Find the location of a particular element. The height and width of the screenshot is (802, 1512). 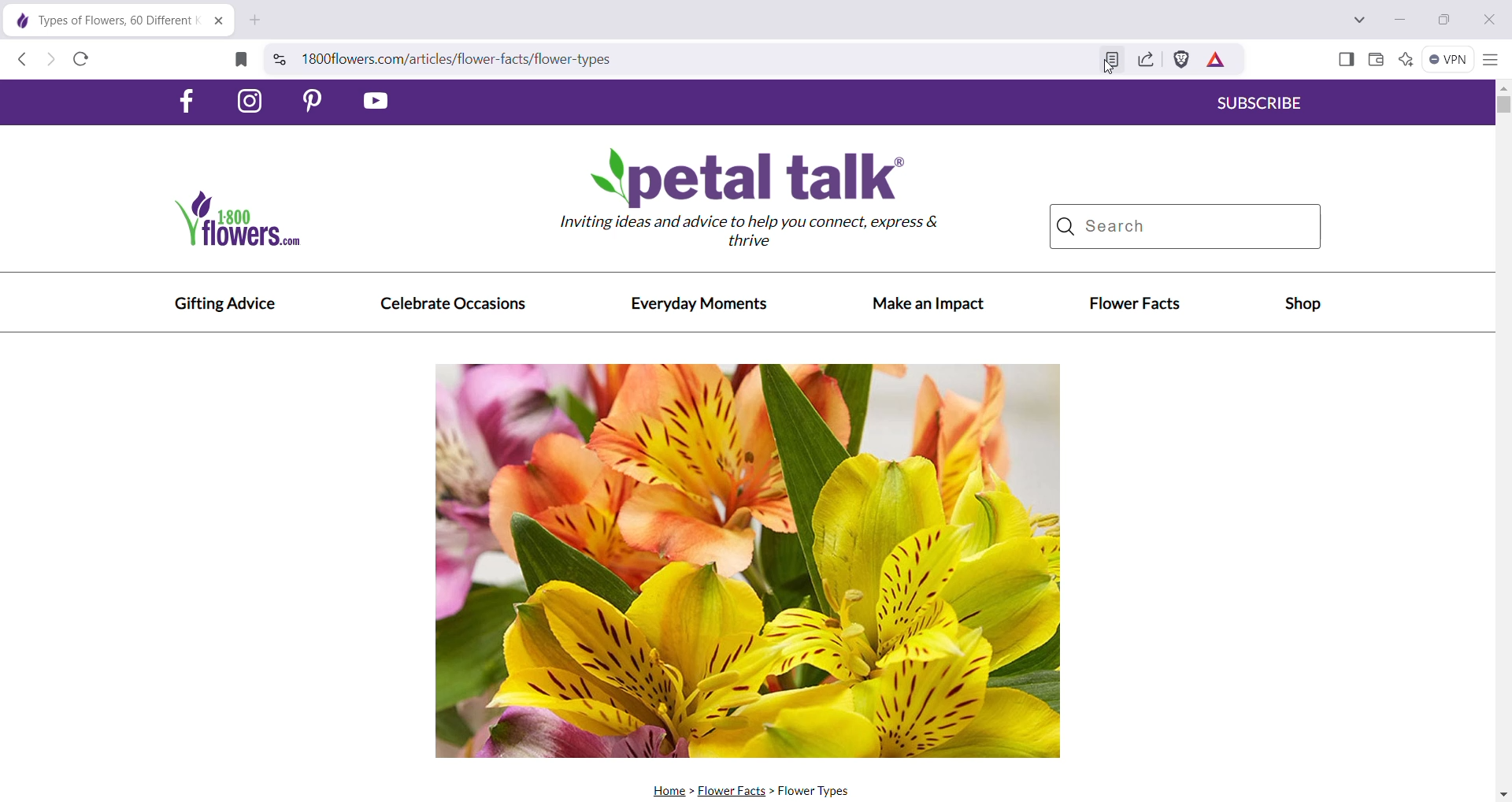

Turn on Speedreader is located at coordinates (1114, 61).